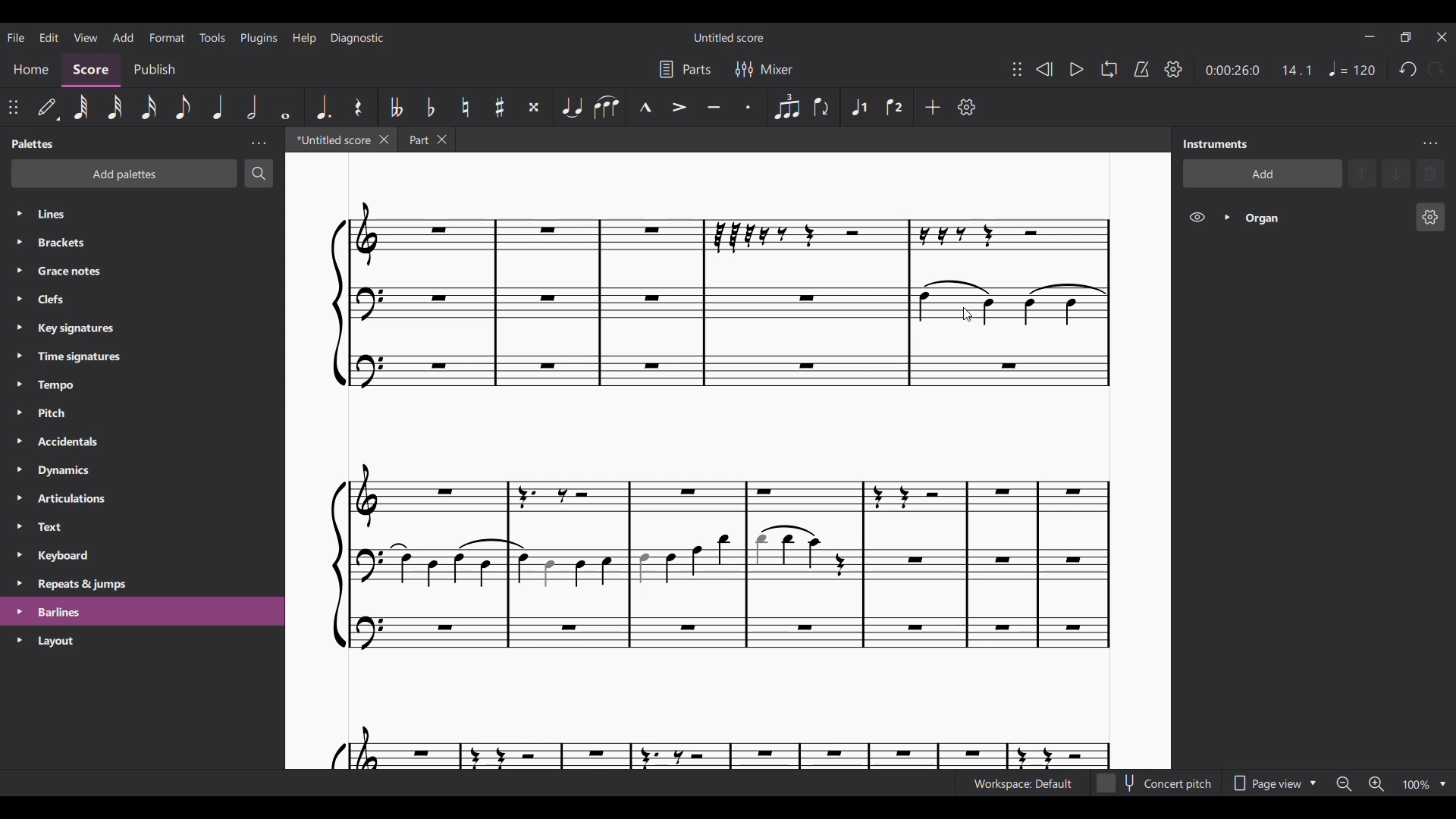  What do you see at coordinates (1078, 68) in the screenshot?
I see `Play` at bounding box center [1078, 68].